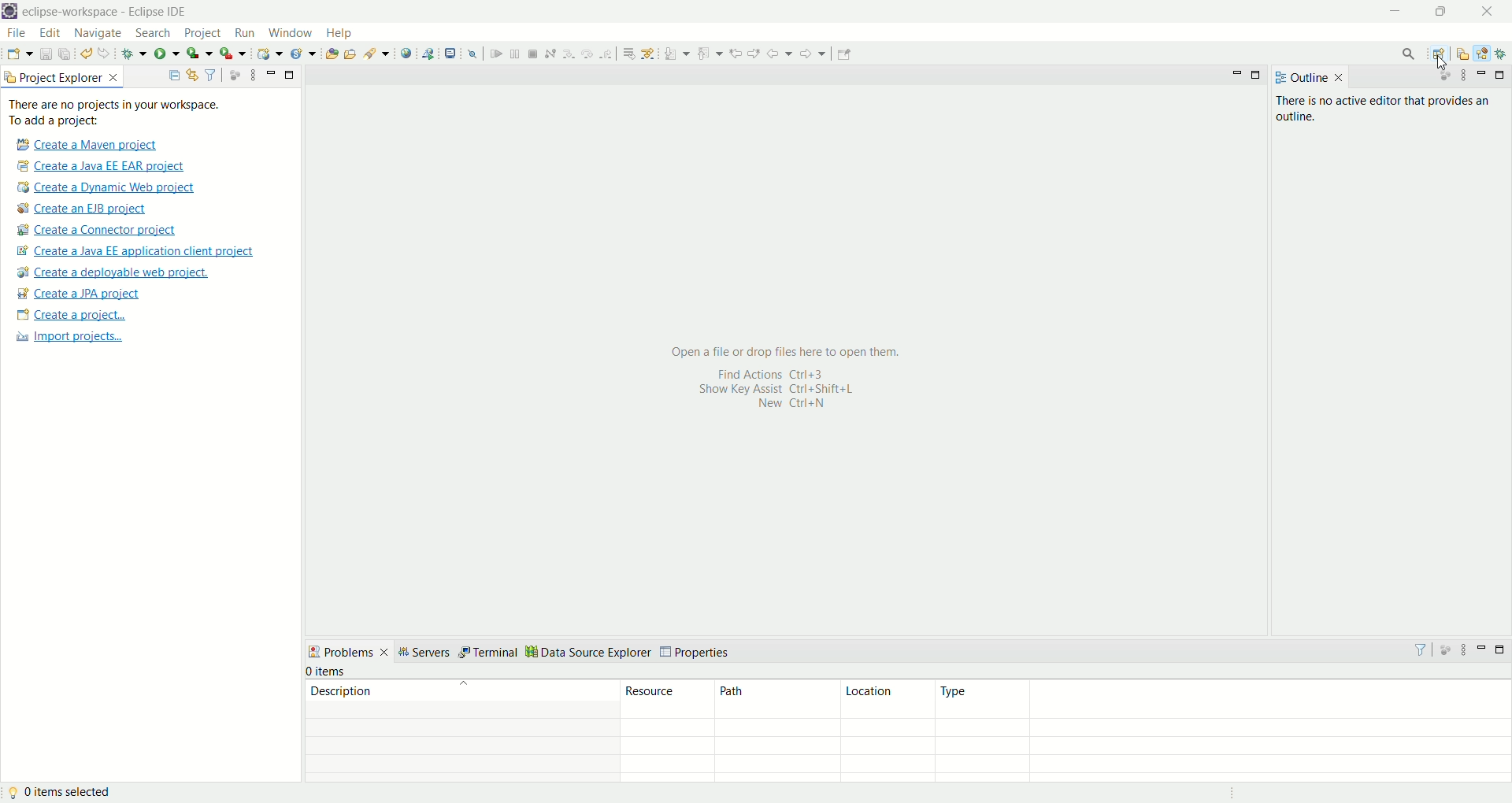 The height and width of the screenshot is (803, 1512). Describe the element at coordinates (1487, 11) in the screenshot. I see `close` at that location.